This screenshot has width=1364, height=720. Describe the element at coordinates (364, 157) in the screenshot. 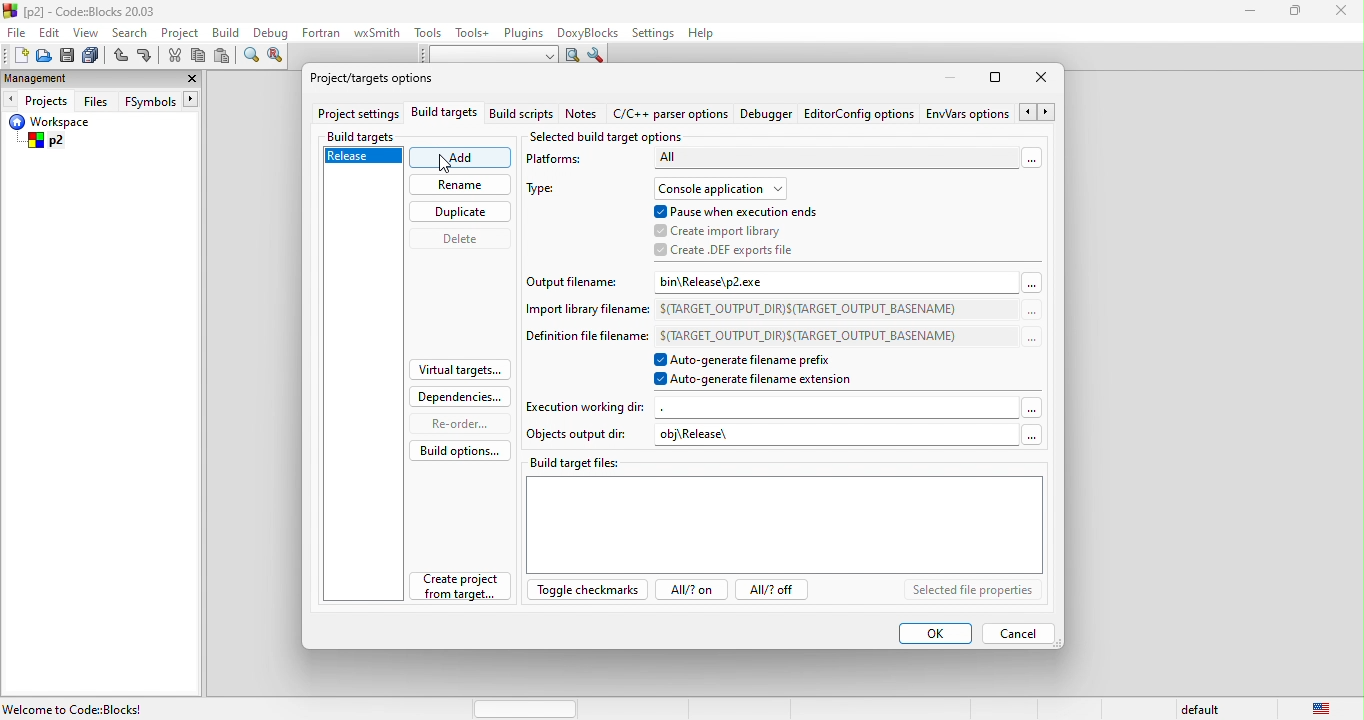

I see `release` at that location.